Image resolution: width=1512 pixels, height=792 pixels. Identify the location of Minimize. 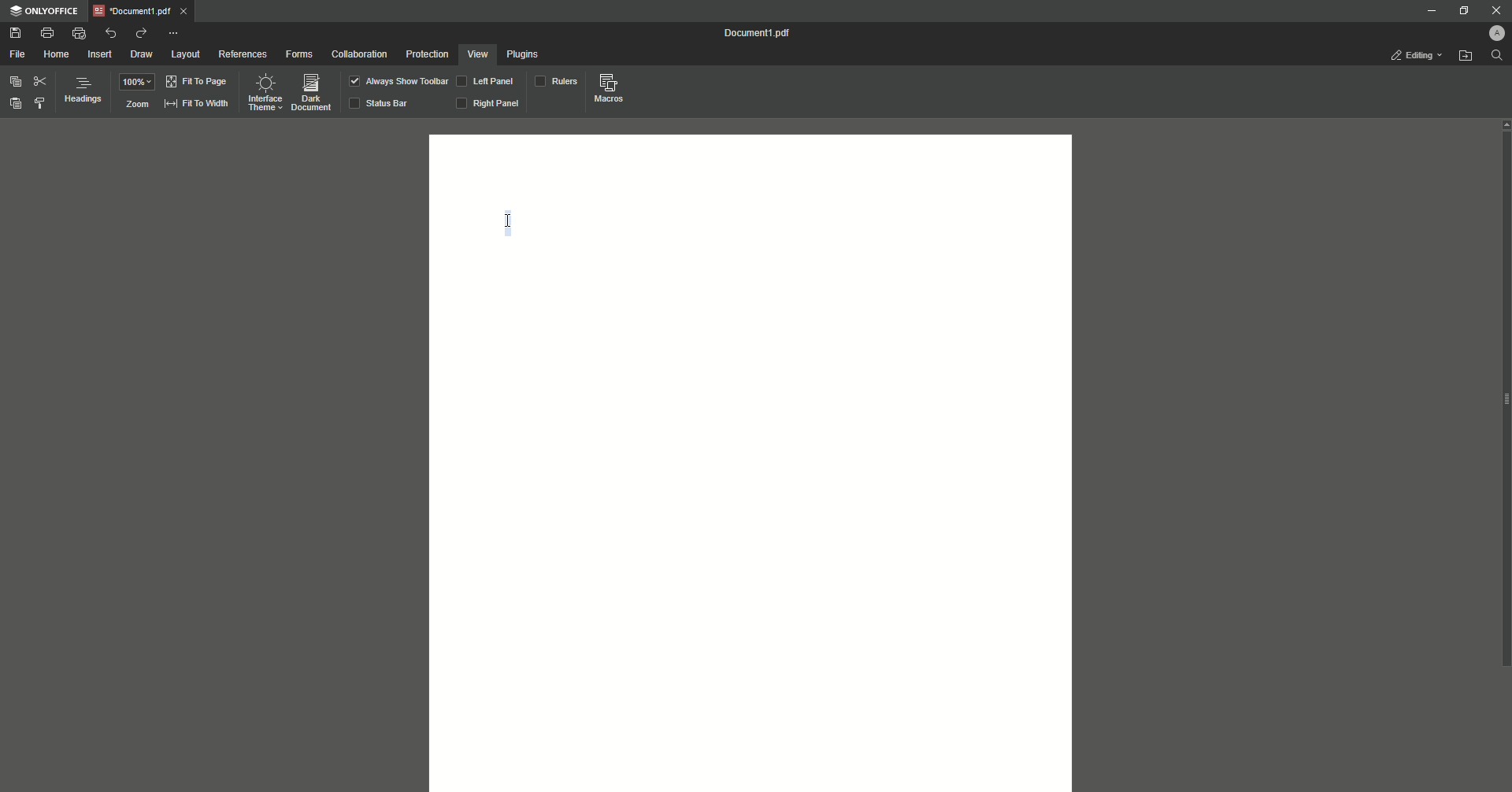
(1429, 12).